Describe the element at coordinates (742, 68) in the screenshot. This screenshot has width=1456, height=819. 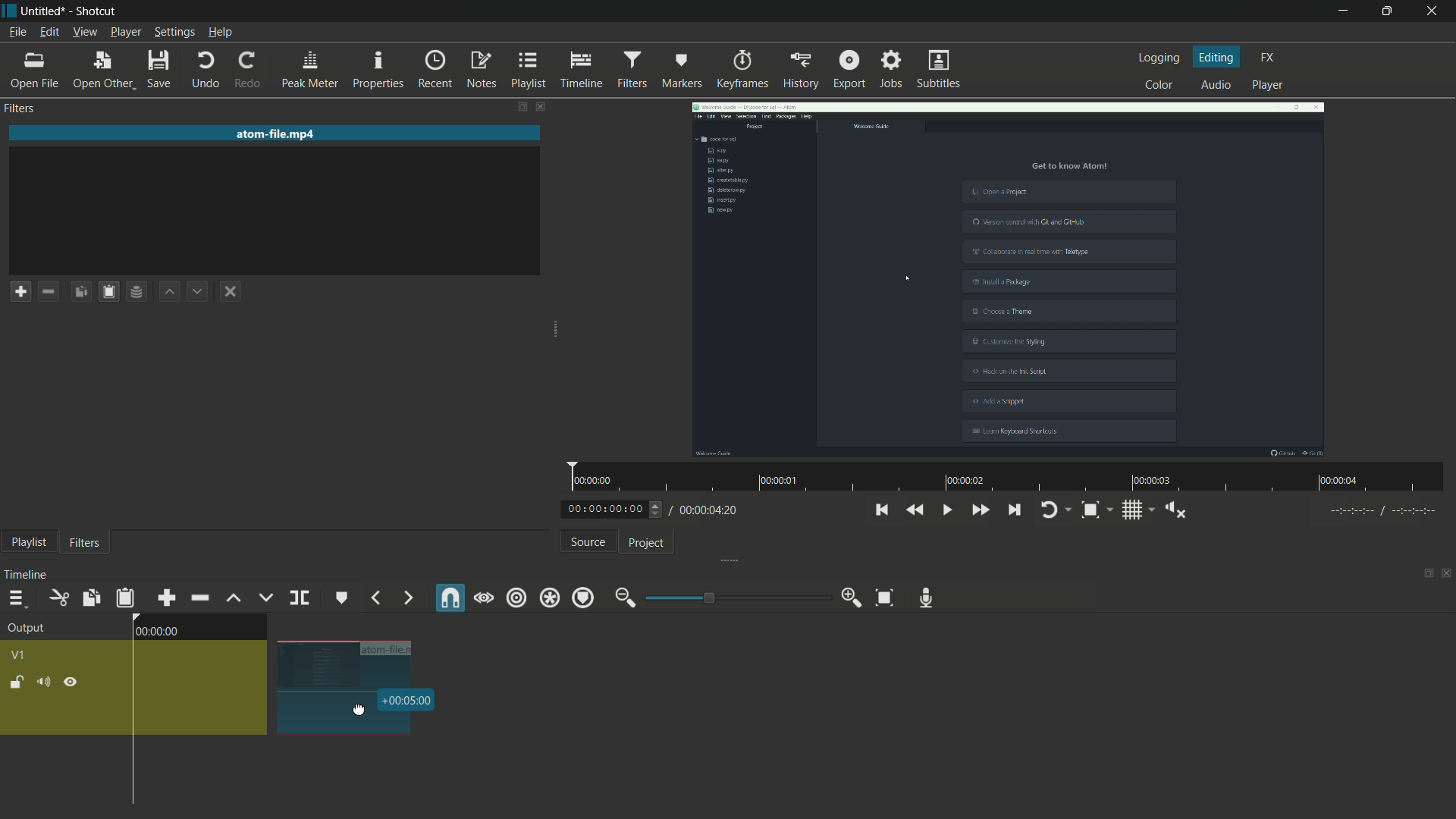
I see `keyframes` at that location.